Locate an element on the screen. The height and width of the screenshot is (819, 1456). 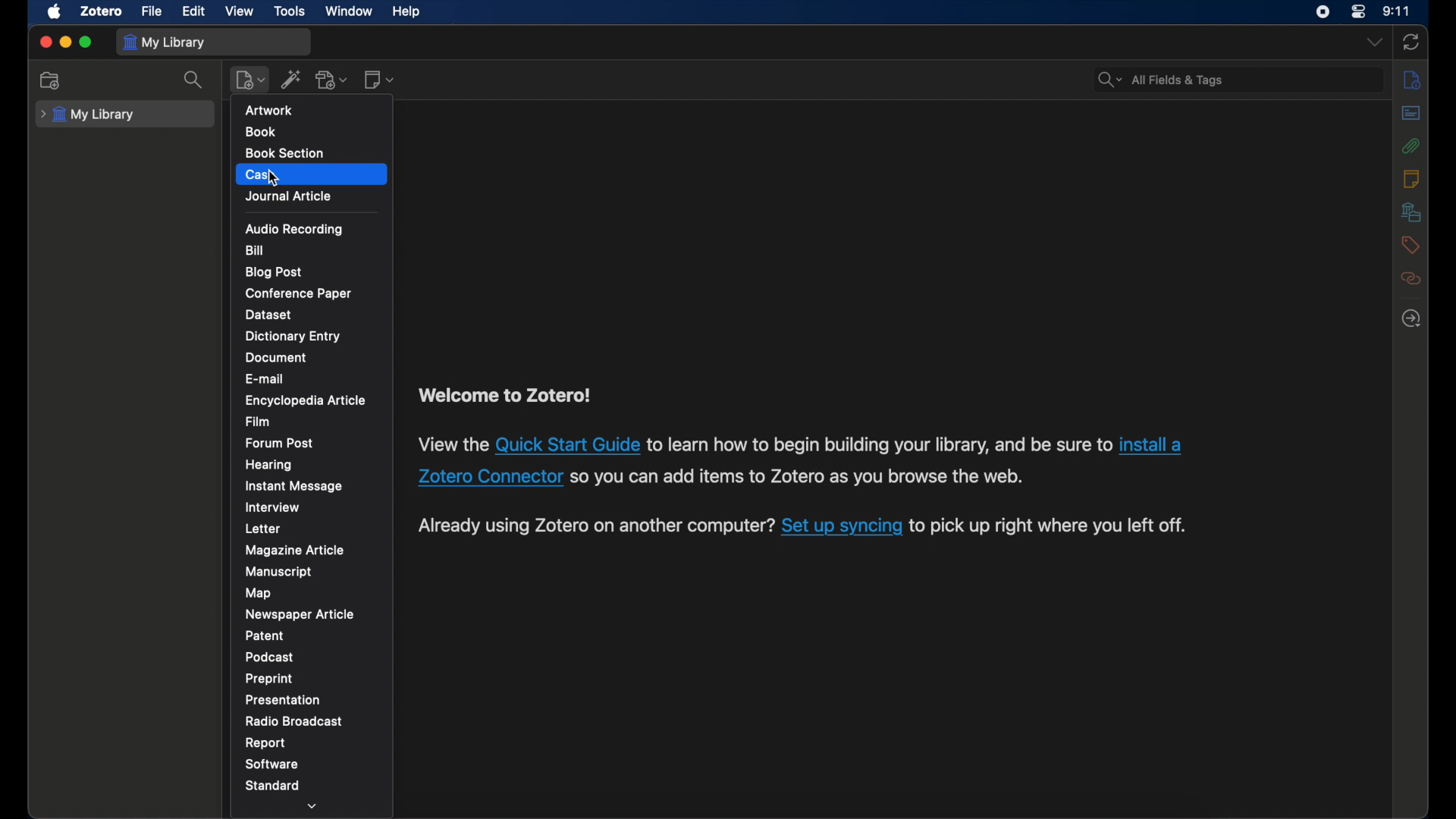
document is located at coordinates (278, 358).